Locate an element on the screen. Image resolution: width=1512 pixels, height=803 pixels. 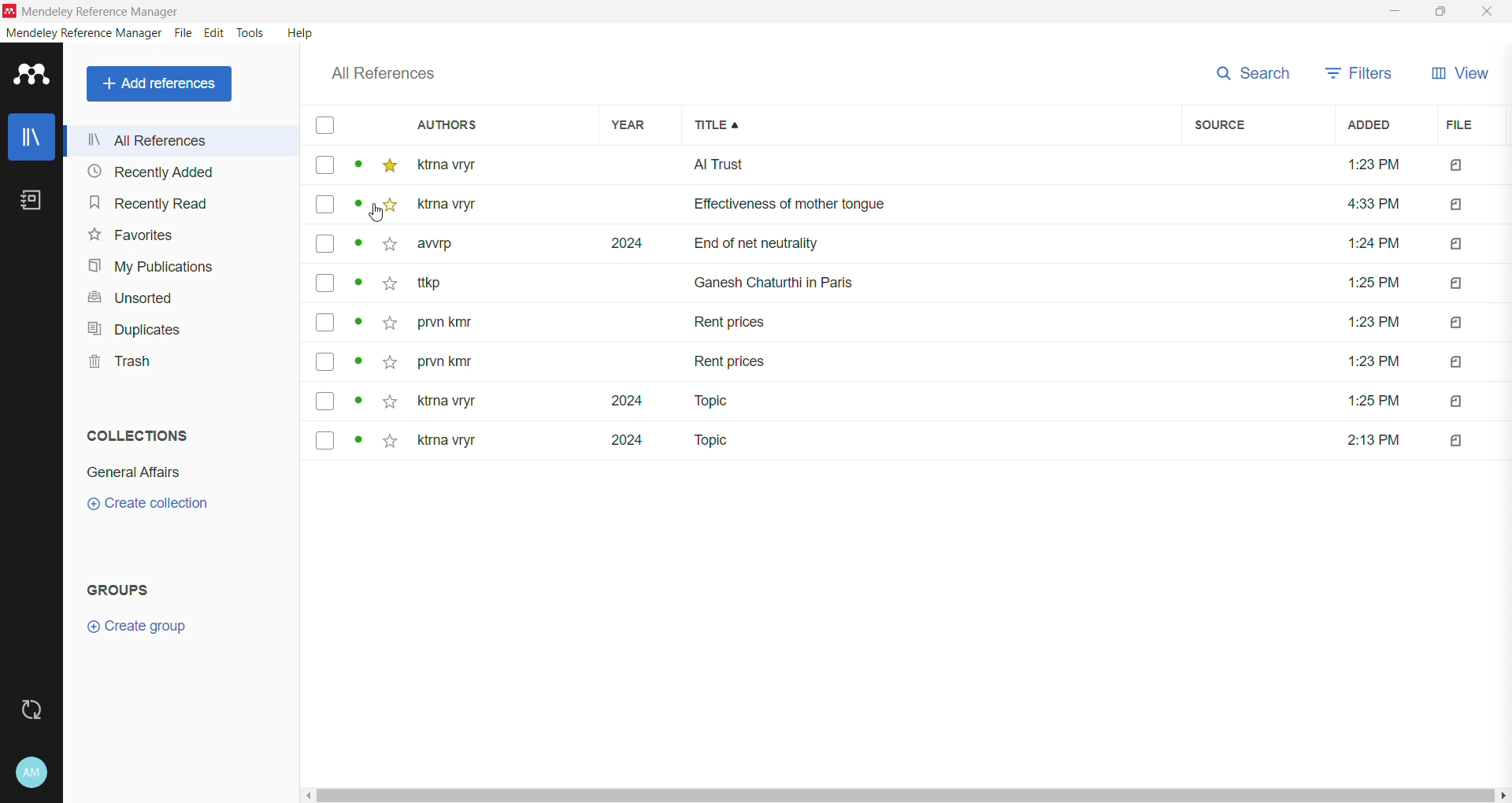
ganesh chaturthi in paris  is located at coordinates (792, 276).